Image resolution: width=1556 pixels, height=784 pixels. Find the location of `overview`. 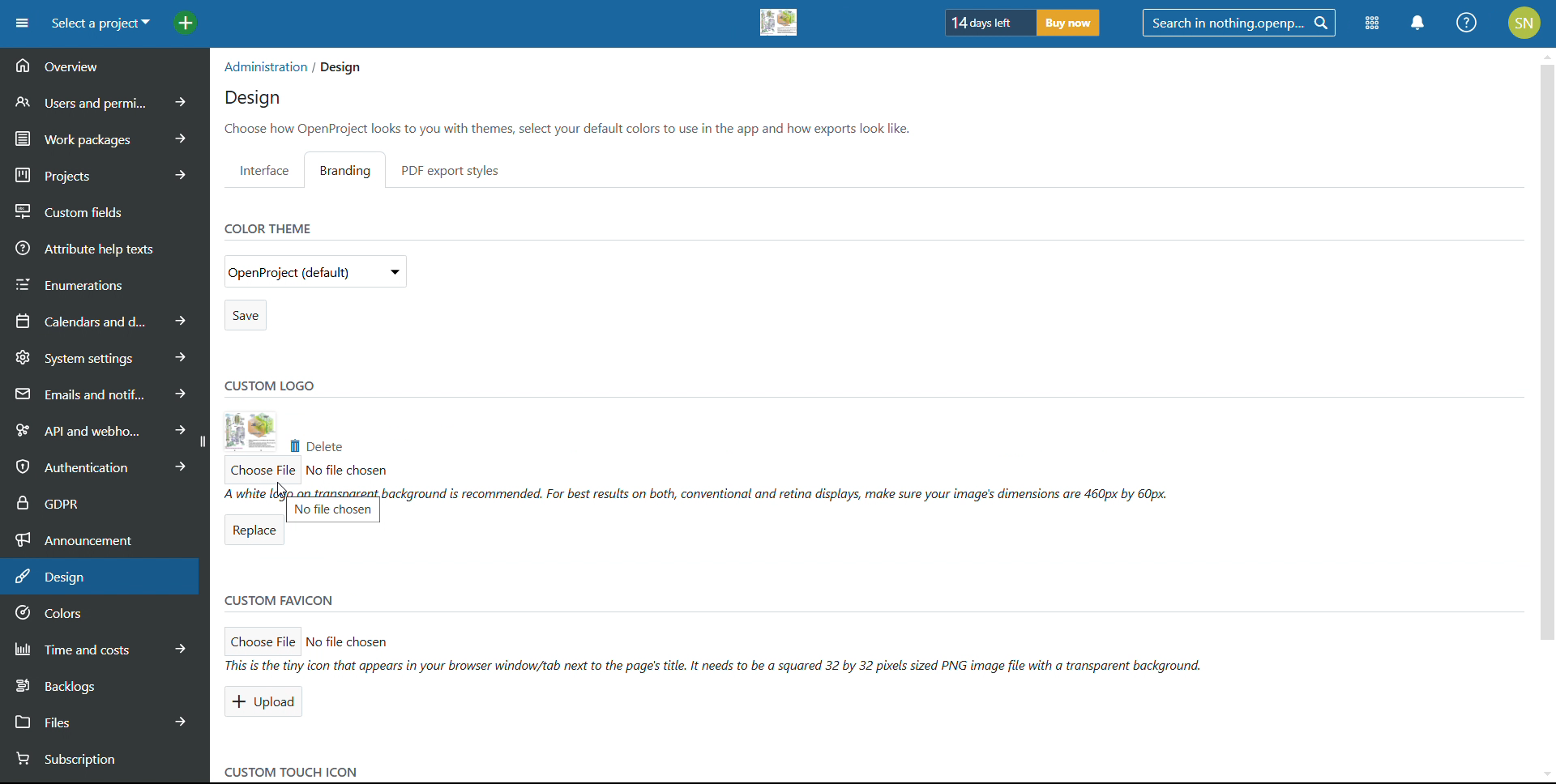

overview is located at coordinates (104, 66).